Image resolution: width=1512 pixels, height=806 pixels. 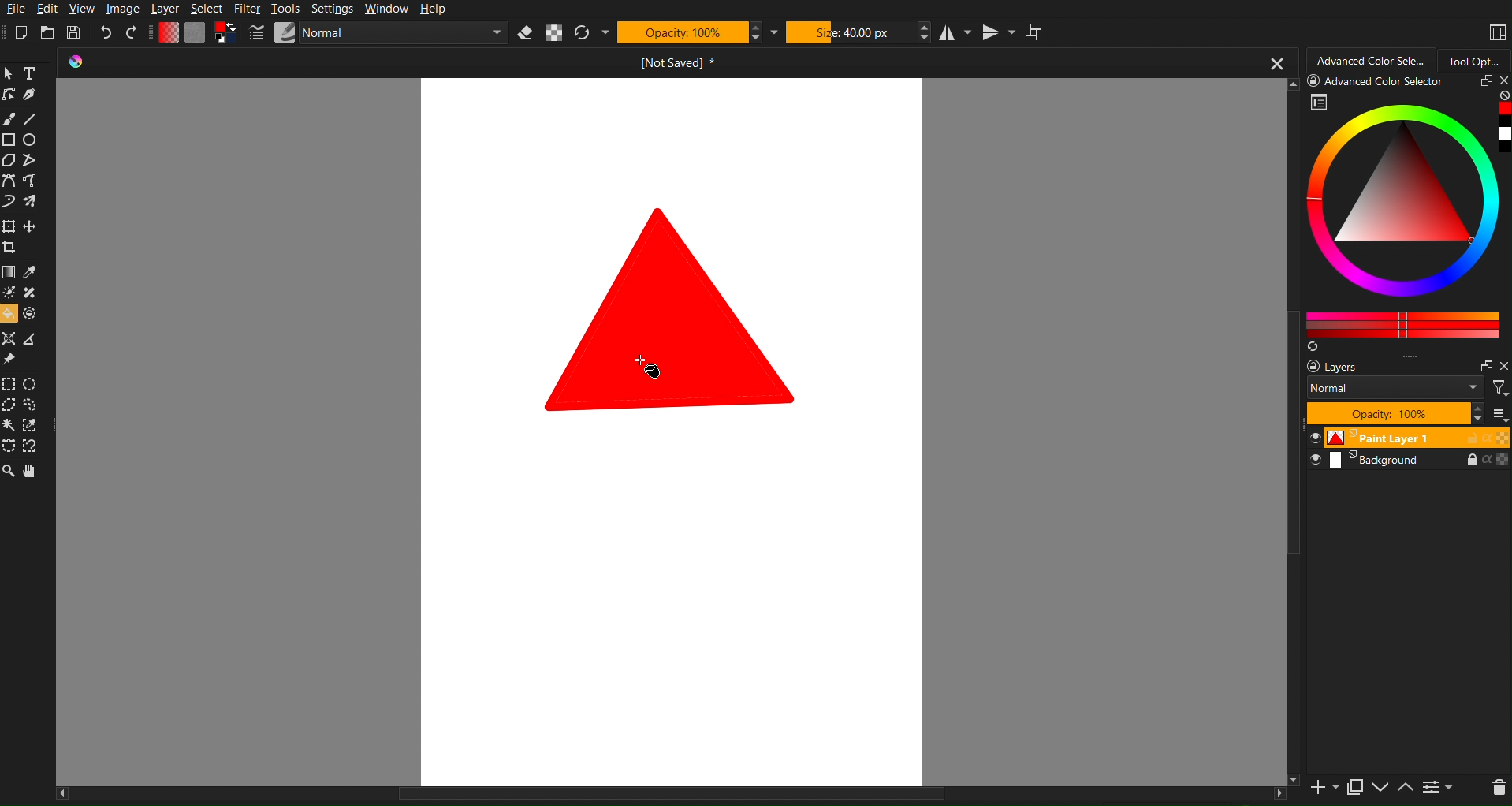 What do you see at coordinates (1438, 789) in the screenshot?
I see `view or change layer properties` at bounding box center [1438, 789].